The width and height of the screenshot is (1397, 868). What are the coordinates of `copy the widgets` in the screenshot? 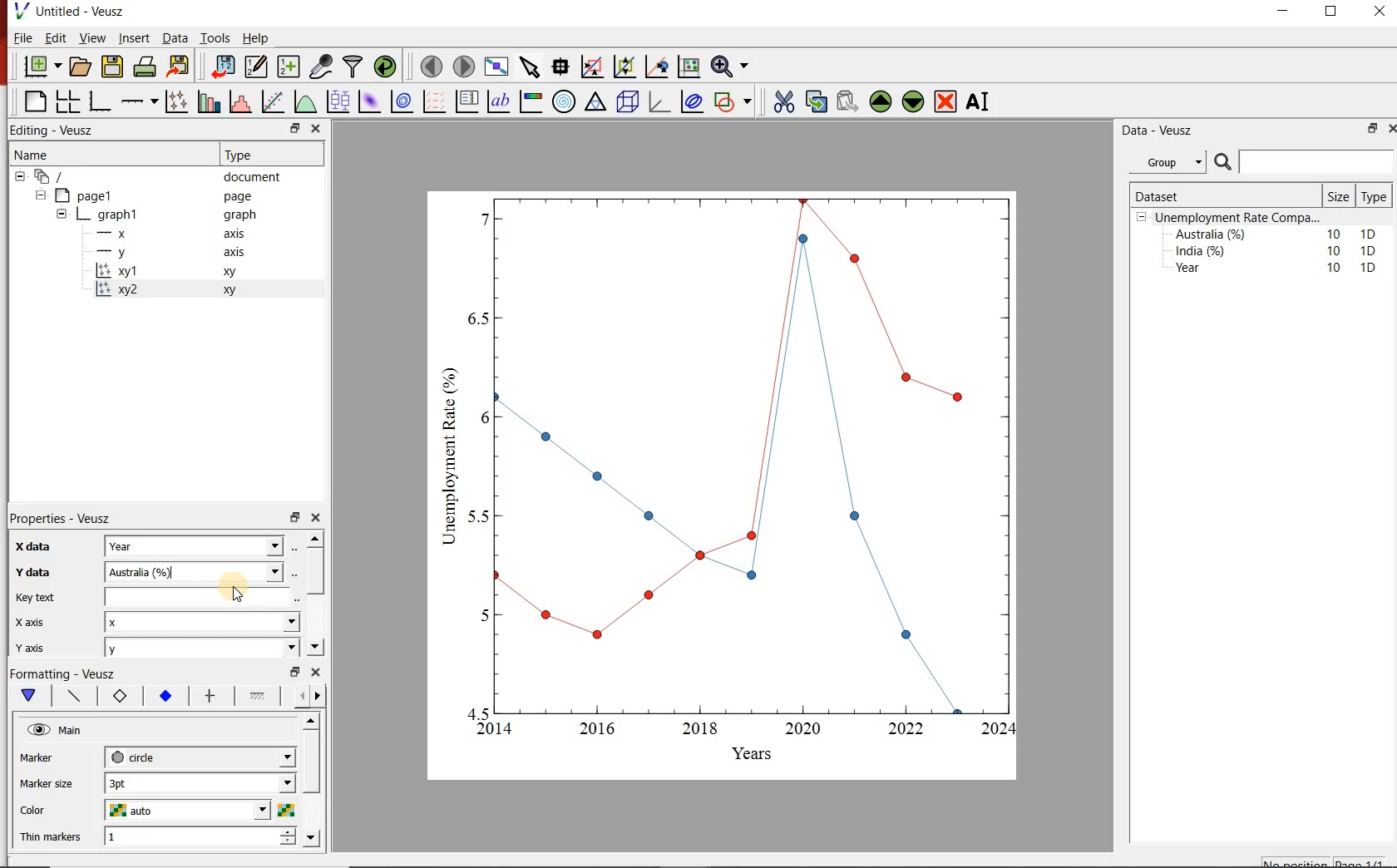 It's located at (815, 101).